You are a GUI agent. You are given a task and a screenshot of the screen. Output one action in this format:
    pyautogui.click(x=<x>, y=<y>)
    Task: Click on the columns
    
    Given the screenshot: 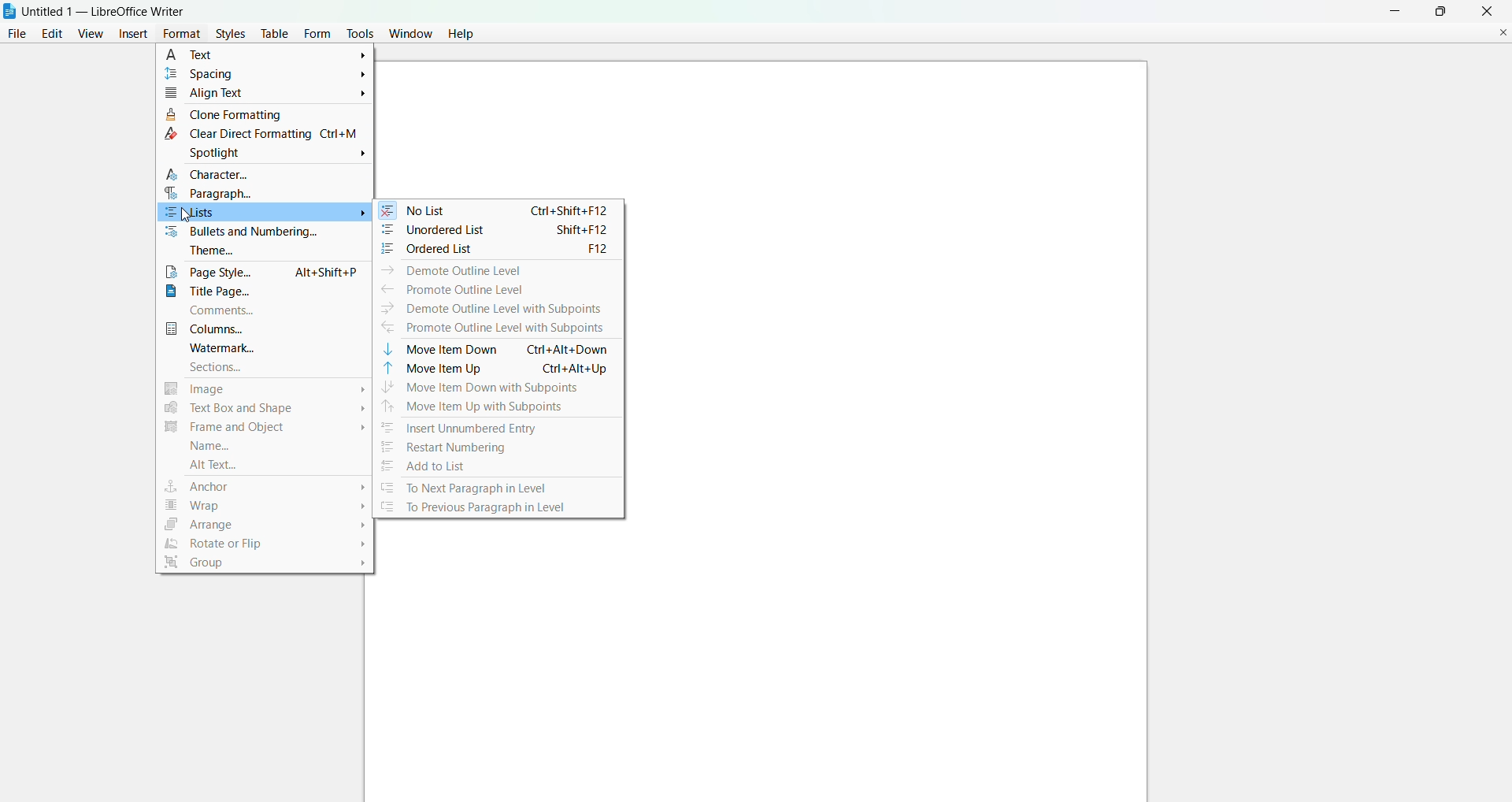 What is the action you would take?
    pyautogui.click(x=206, y=330)
    